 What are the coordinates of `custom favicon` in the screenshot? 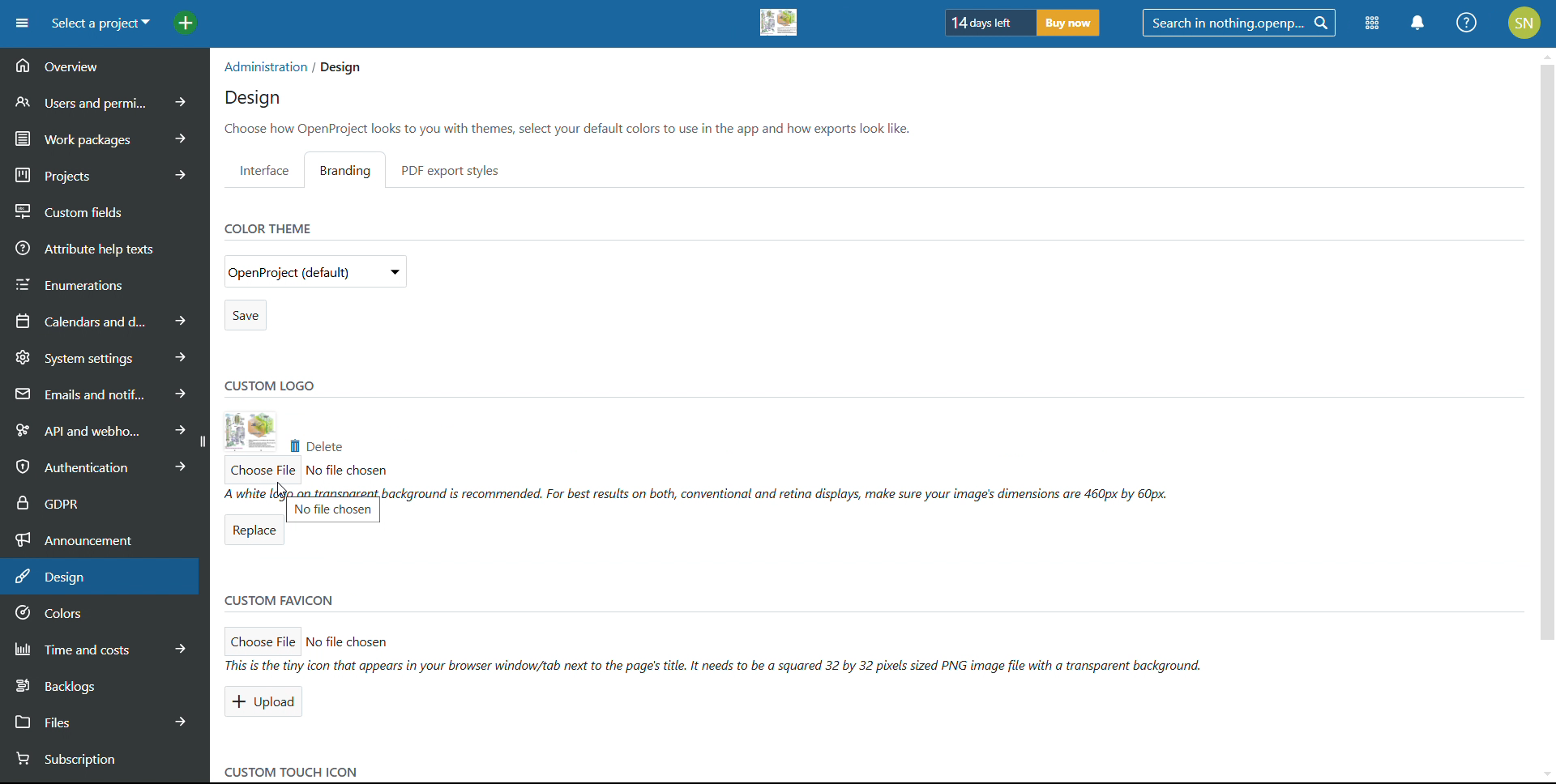 It's located at (280, 602).